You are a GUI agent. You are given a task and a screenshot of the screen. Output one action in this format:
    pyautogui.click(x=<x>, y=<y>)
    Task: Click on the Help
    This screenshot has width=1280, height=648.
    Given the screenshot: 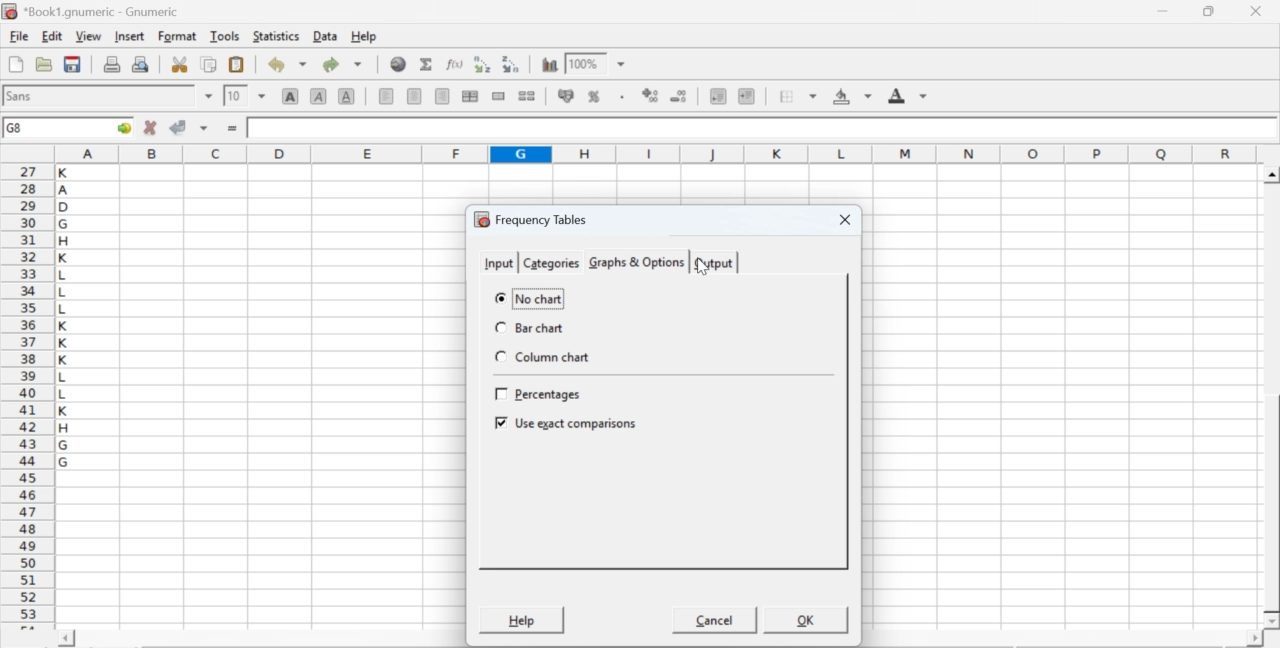 What is the action you would take?
    pyautogui.click(x=520, y=620)
    